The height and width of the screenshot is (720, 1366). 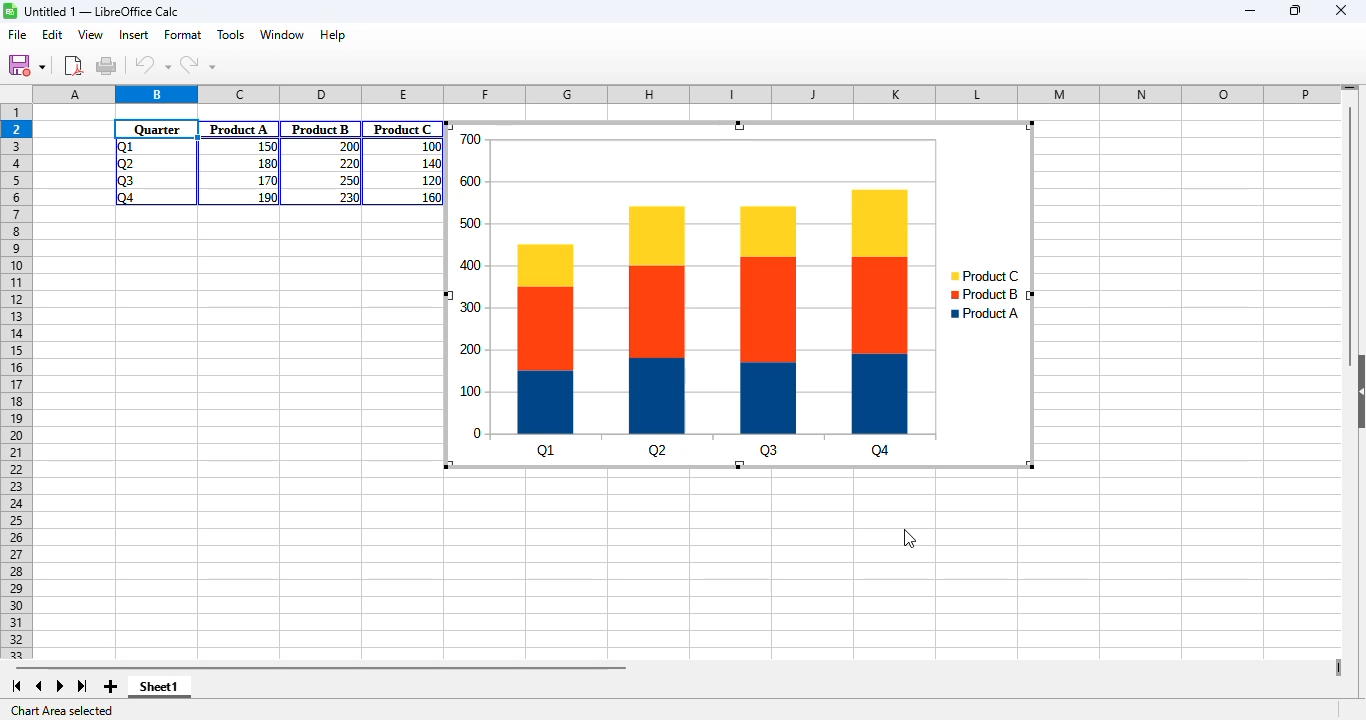 I want to click on 150, so click(x=265, y=147).